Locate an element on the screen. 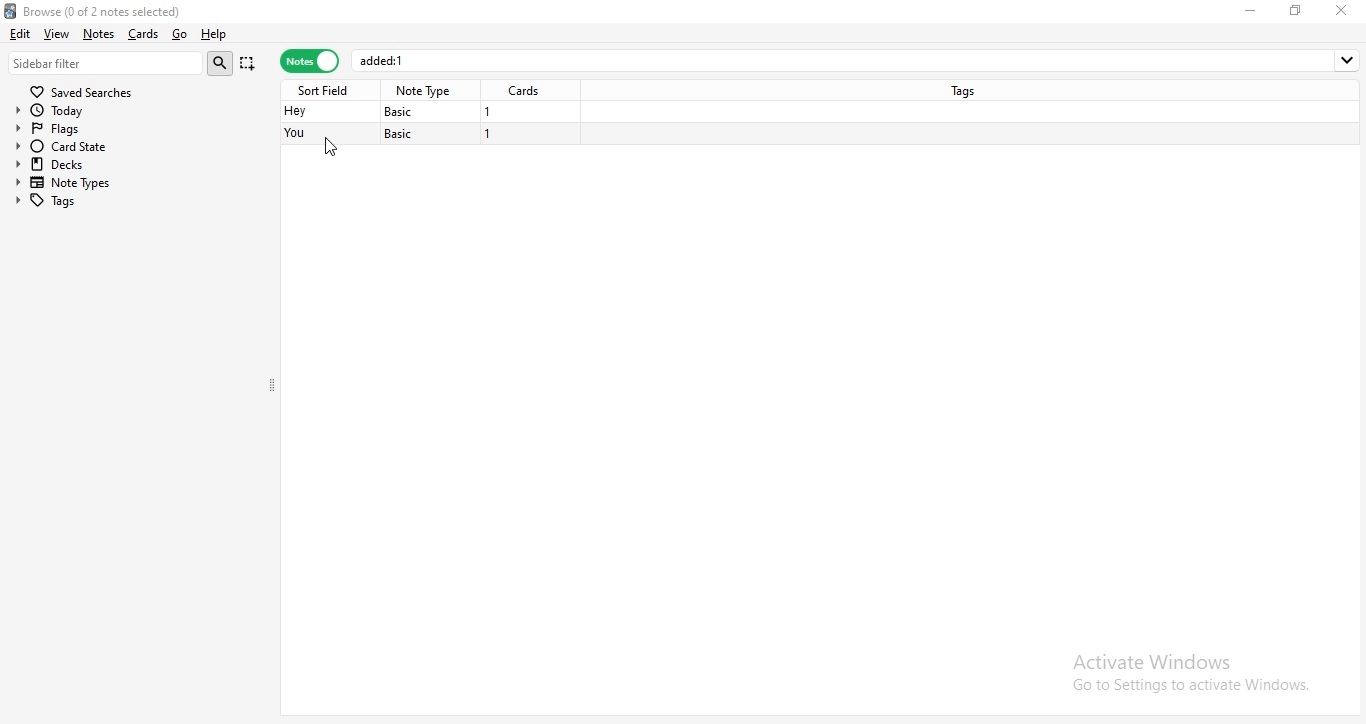  1 is located at coordinates (488, 112).